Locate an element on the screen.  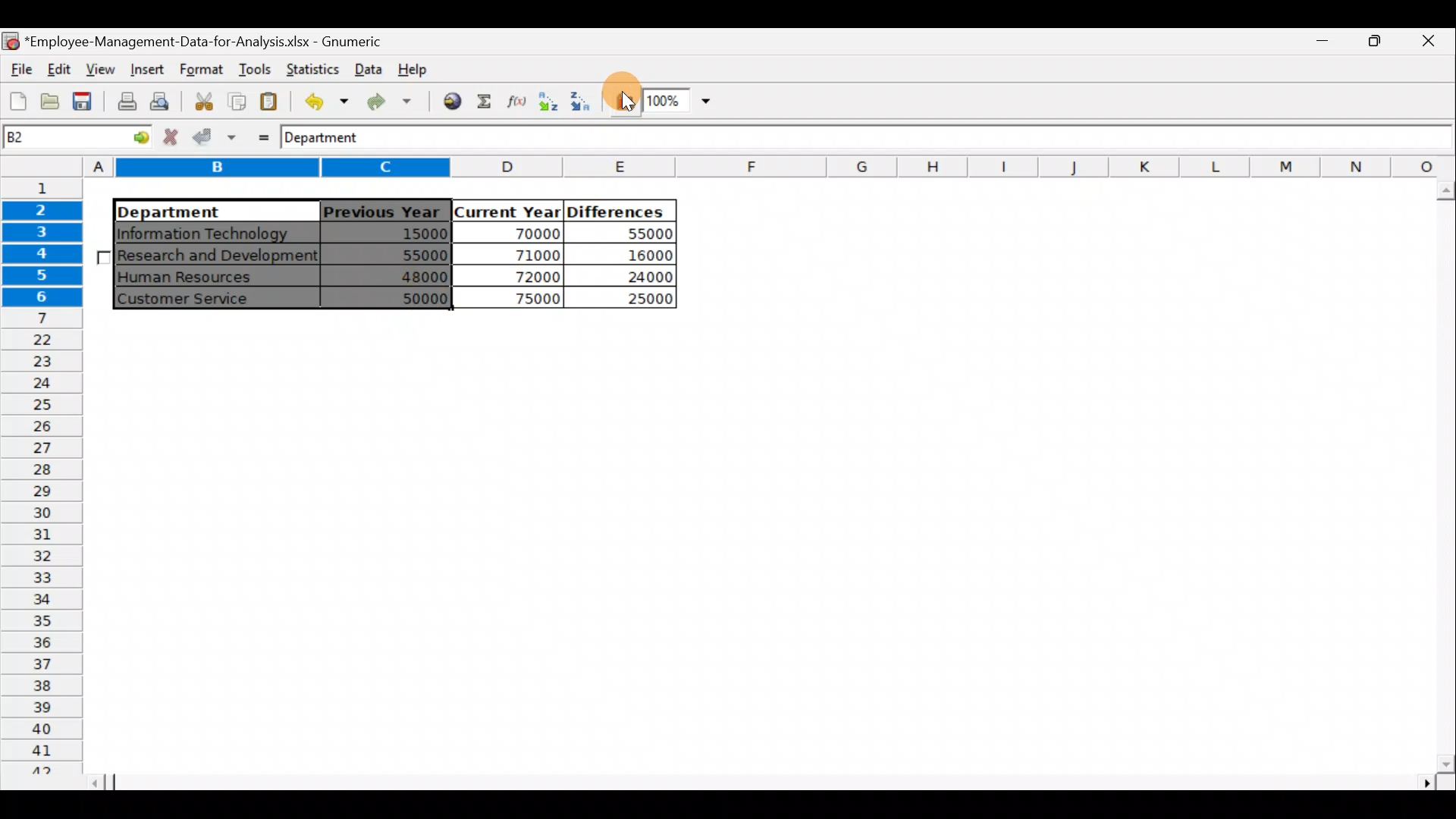
Accept change is located at coordinates (215, 137).